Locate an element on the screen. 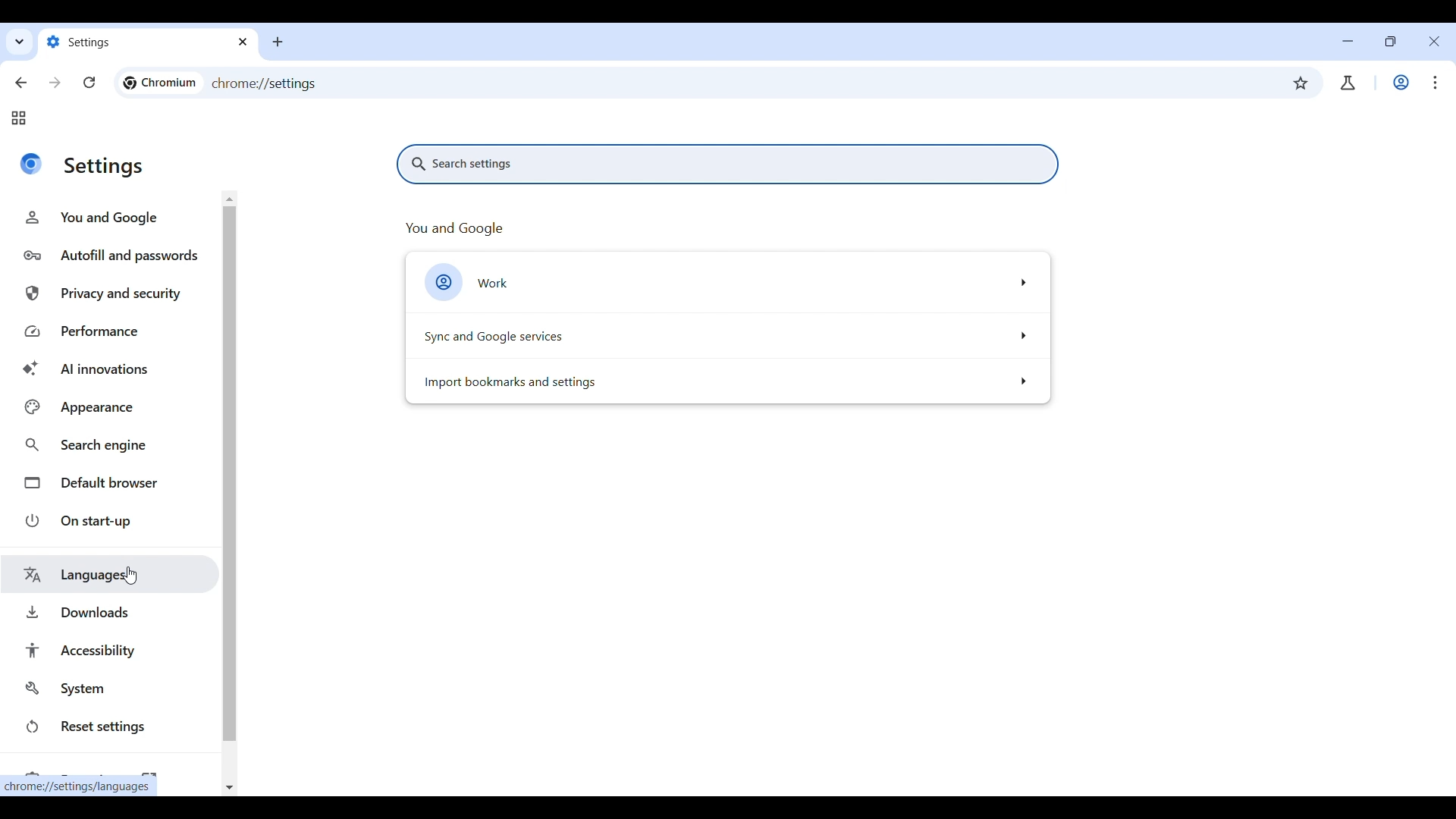 This screenshot has width=1456, height=819. Cursor is located at coordinates (1433, 89).